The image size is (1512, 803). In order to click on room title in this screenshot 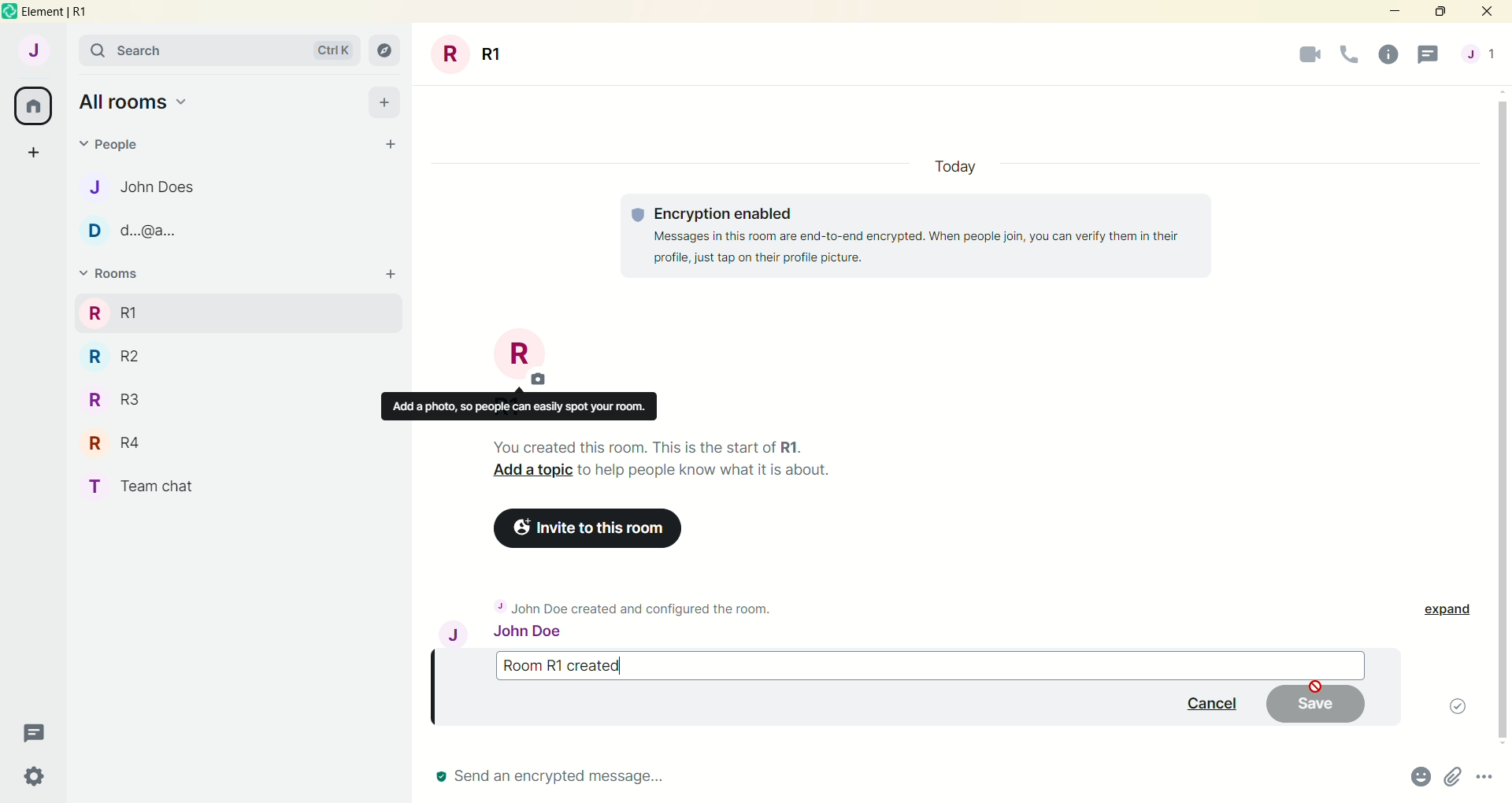, I will do `click(469, 54)`.